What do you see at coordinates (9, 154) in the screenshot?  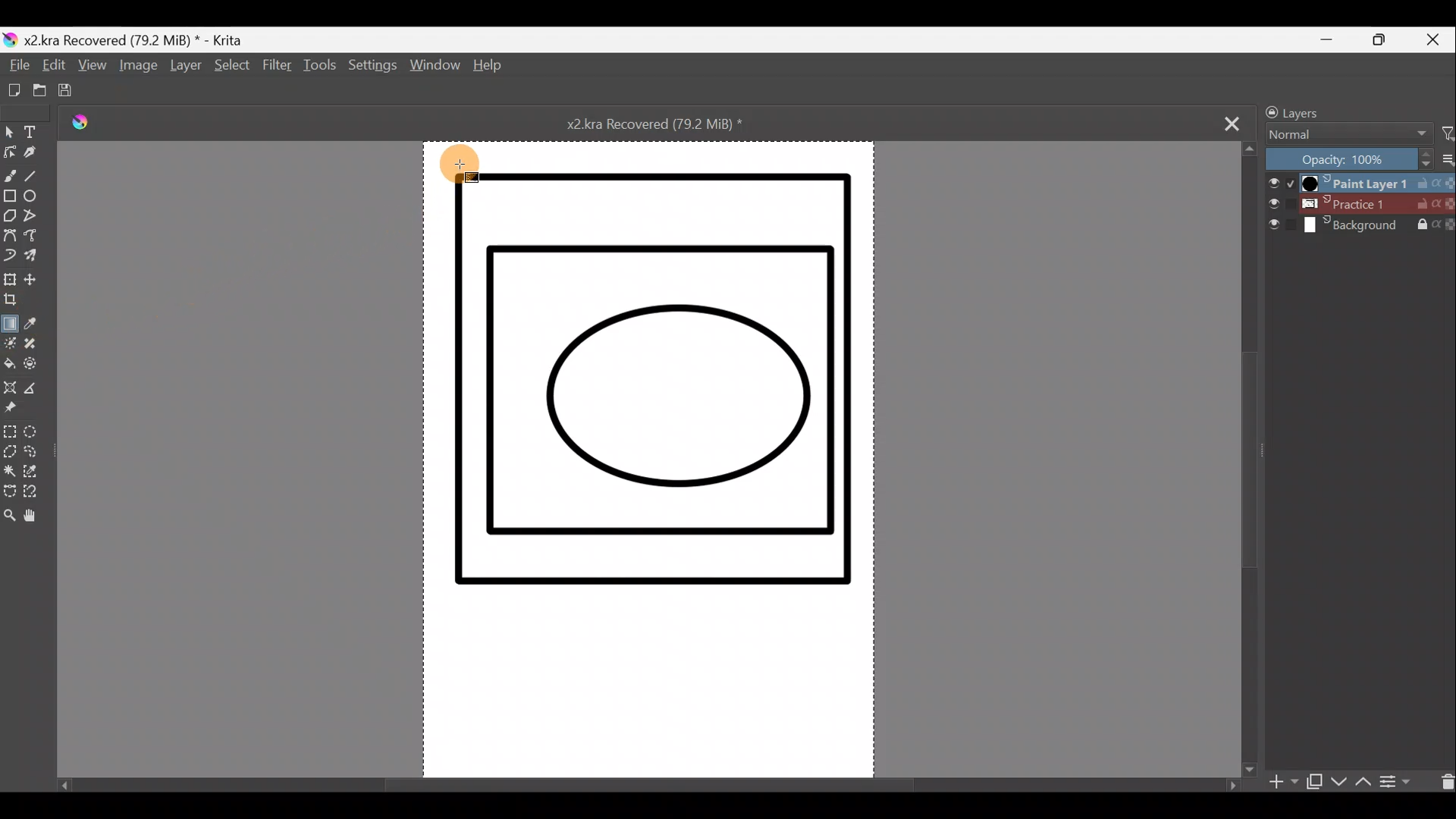 I see `Edit shapes tool` at bounding box center [9, 154].